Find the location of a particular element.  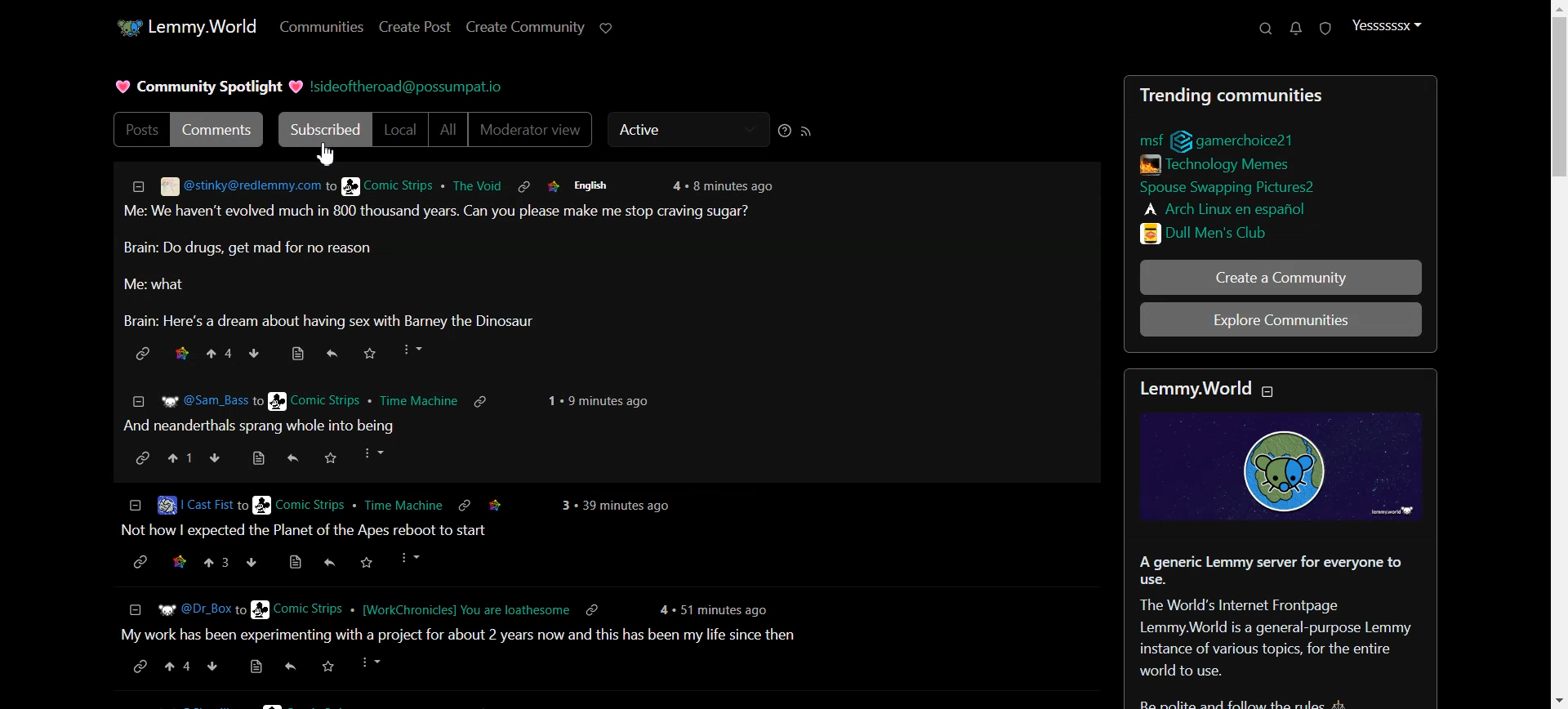

share is located at coordinates (287, 671).